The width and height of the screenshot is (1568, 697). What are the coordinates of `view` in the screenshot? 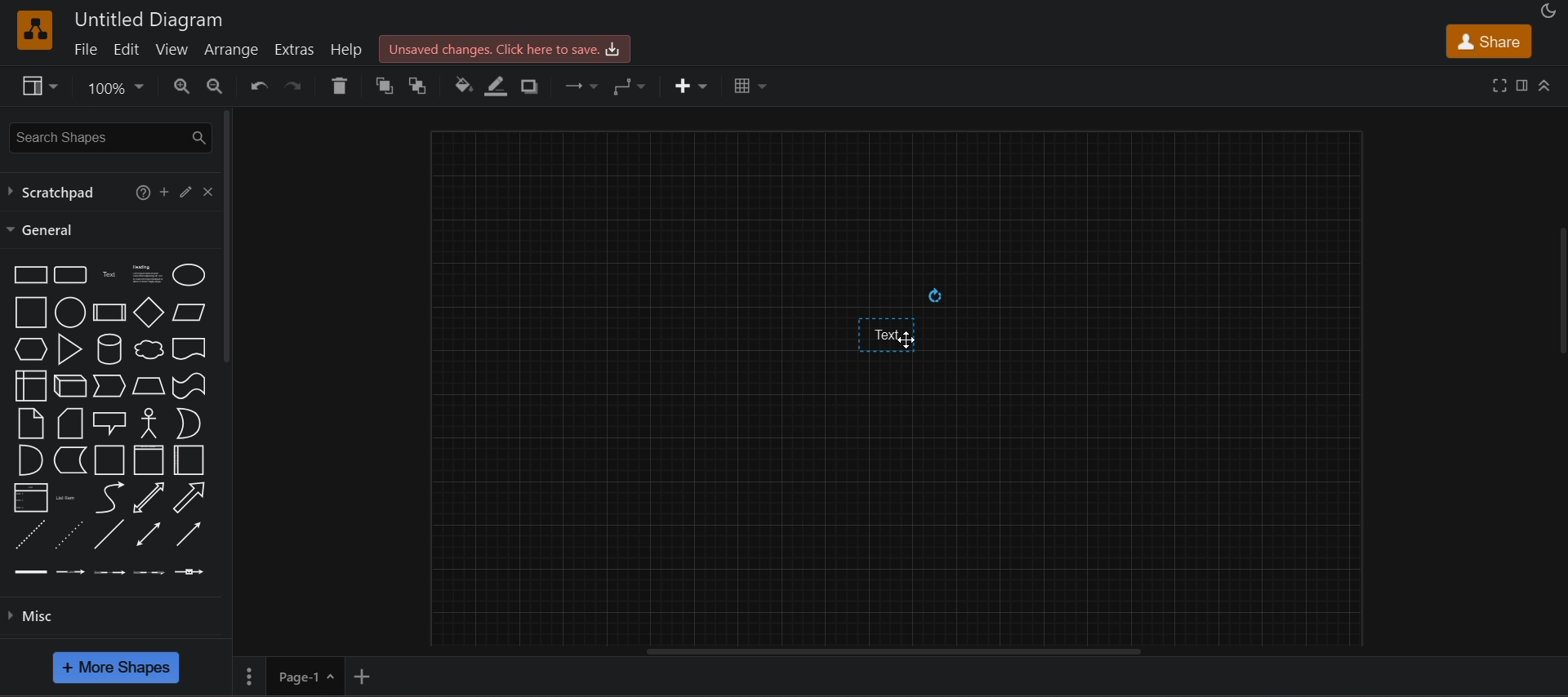 It's located at (172, 49).